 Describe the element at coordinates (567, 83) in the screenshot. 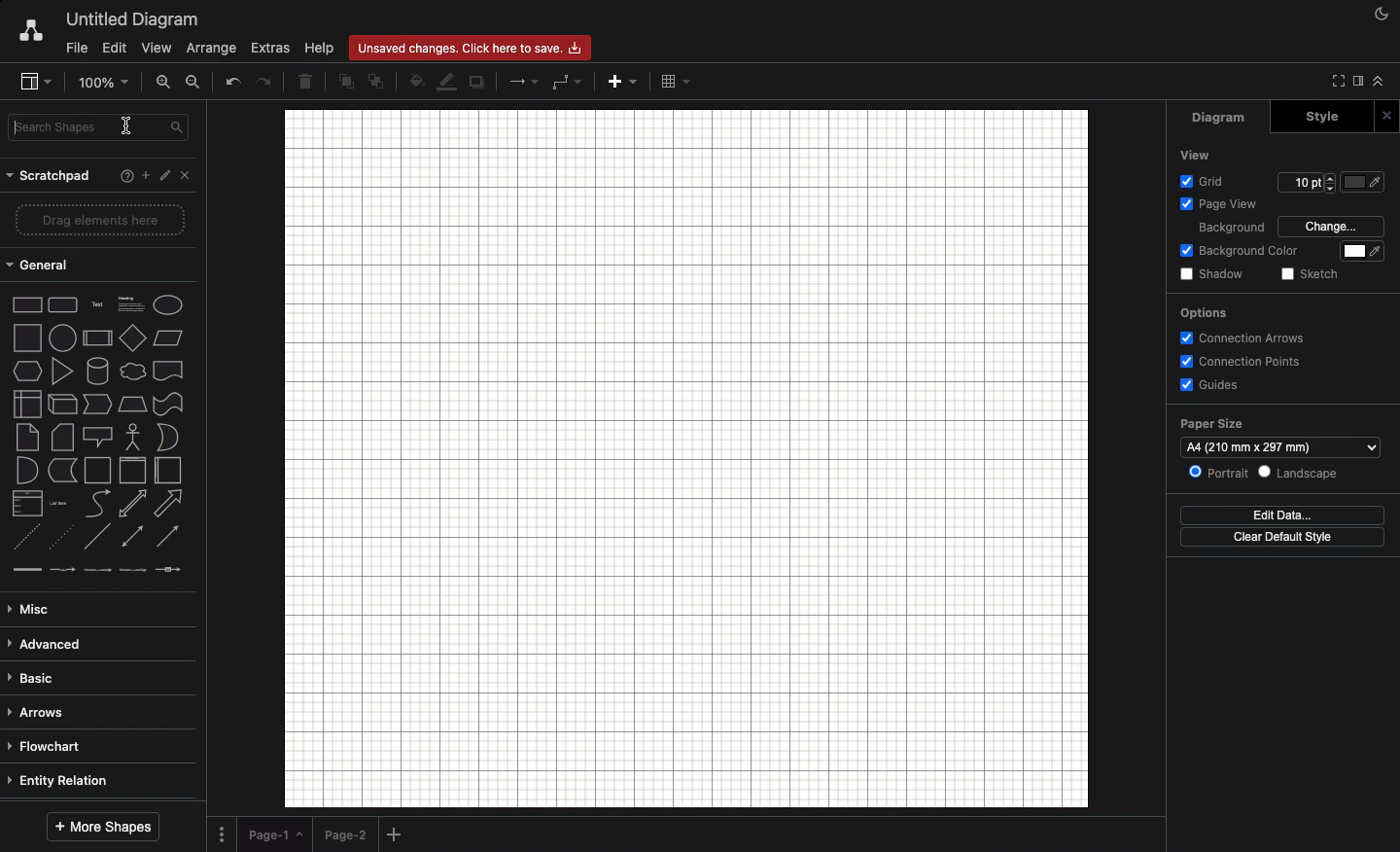

I see `Waypoints` at that location.